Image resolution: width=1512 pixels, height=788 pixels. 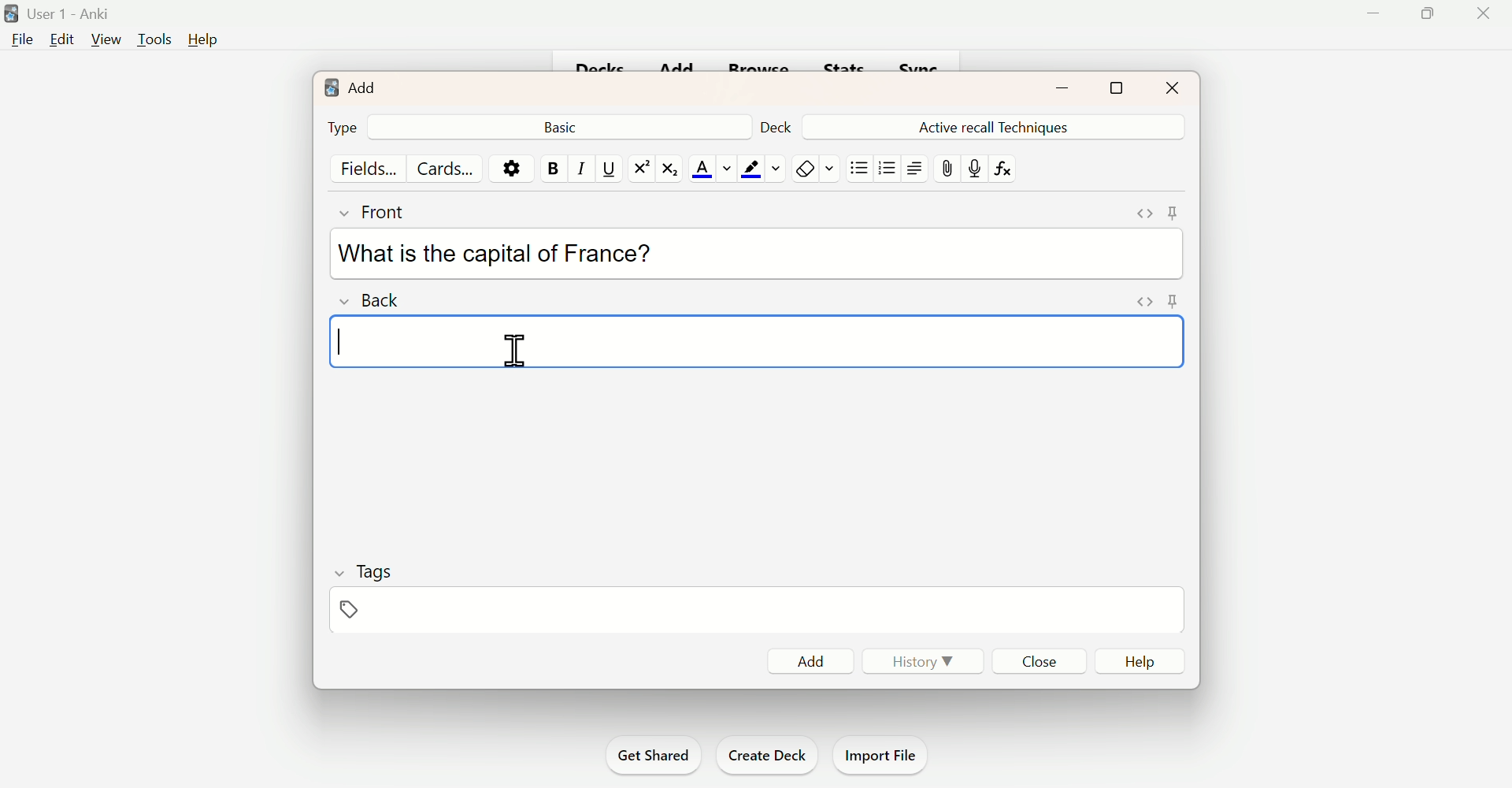 I want to click on Tools, so click(x=150, y=39).